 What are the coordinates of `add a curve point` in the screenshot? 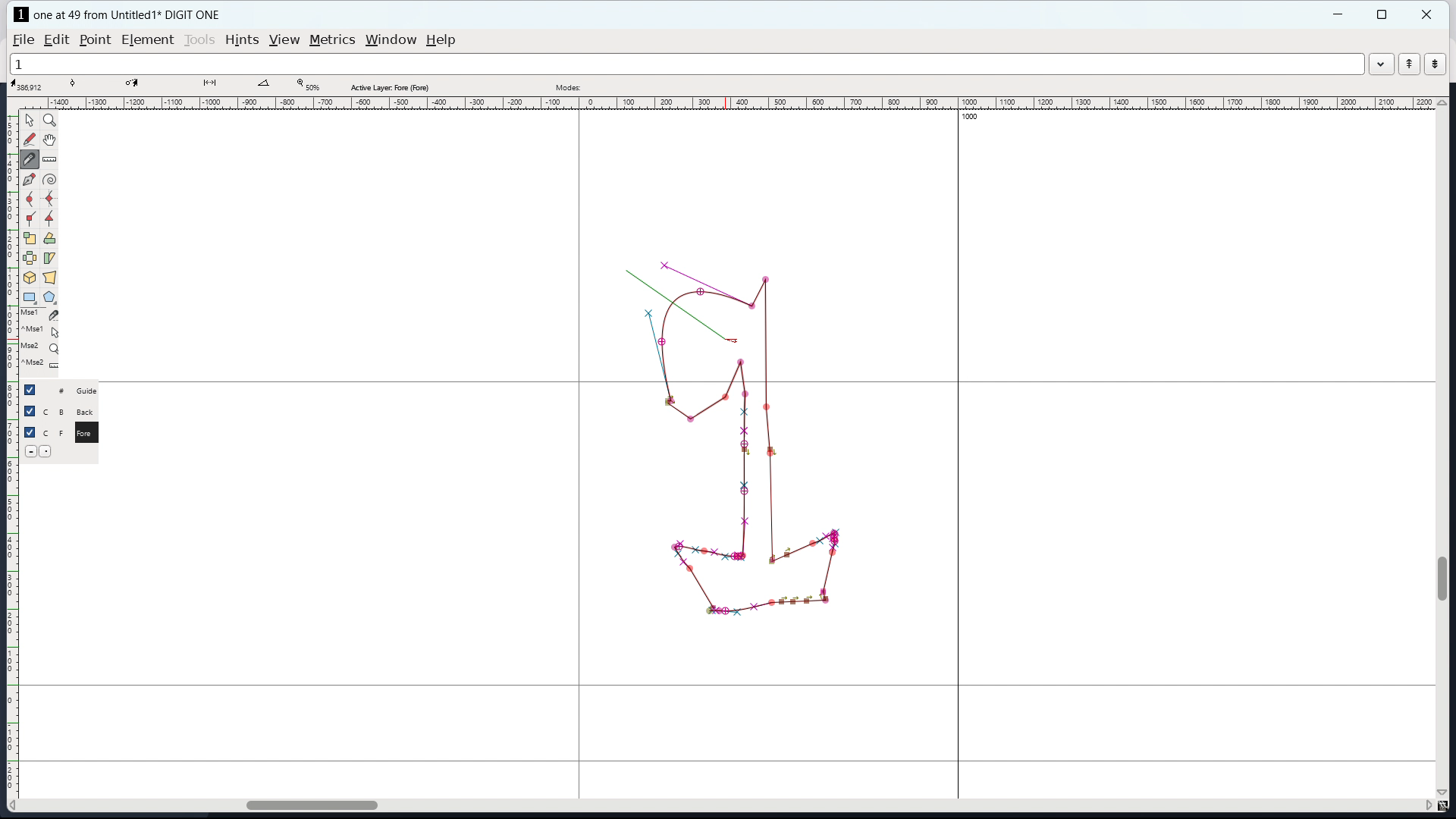 It's located at (30, 200).